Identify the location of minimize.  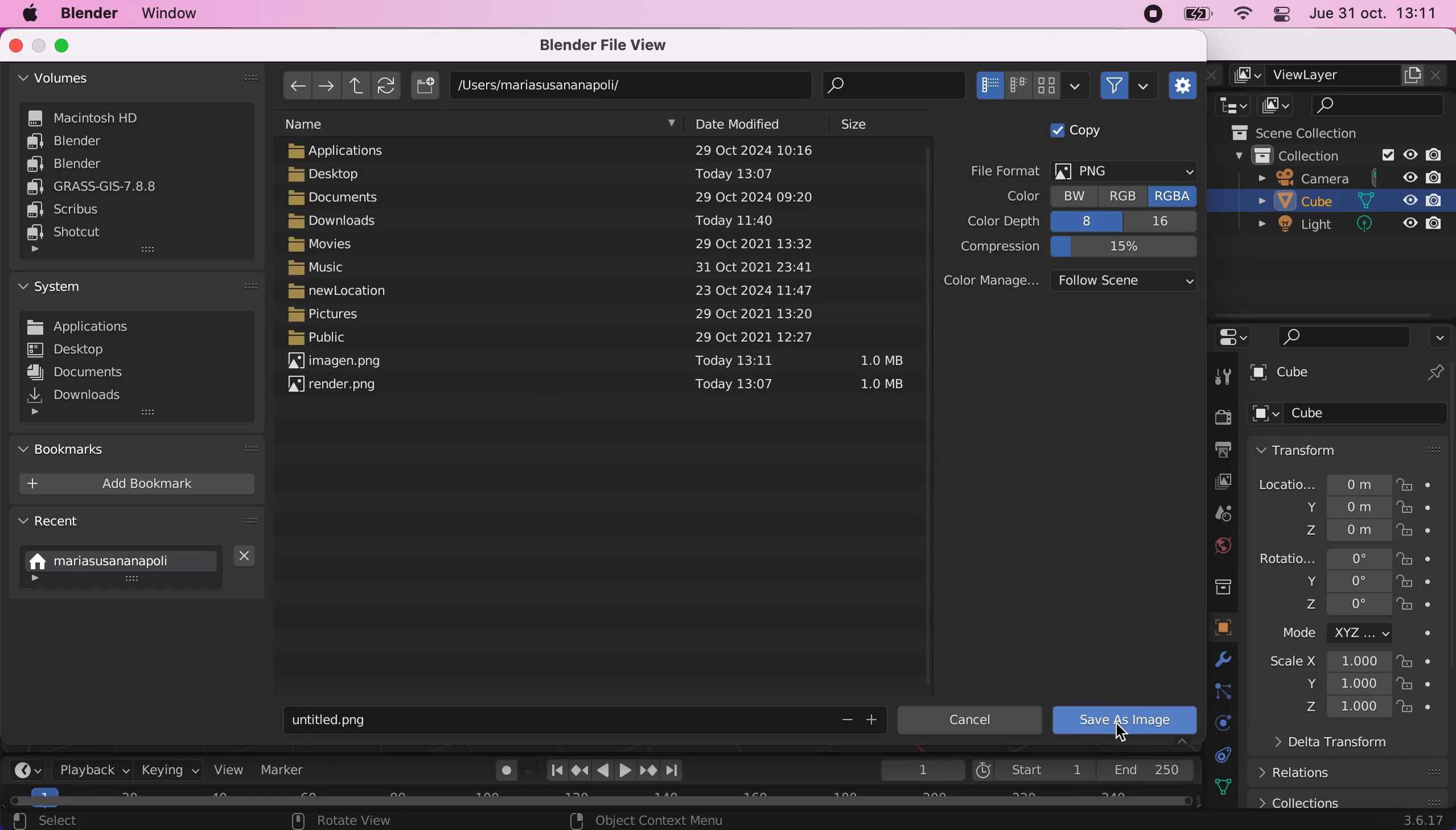
(39, 46).